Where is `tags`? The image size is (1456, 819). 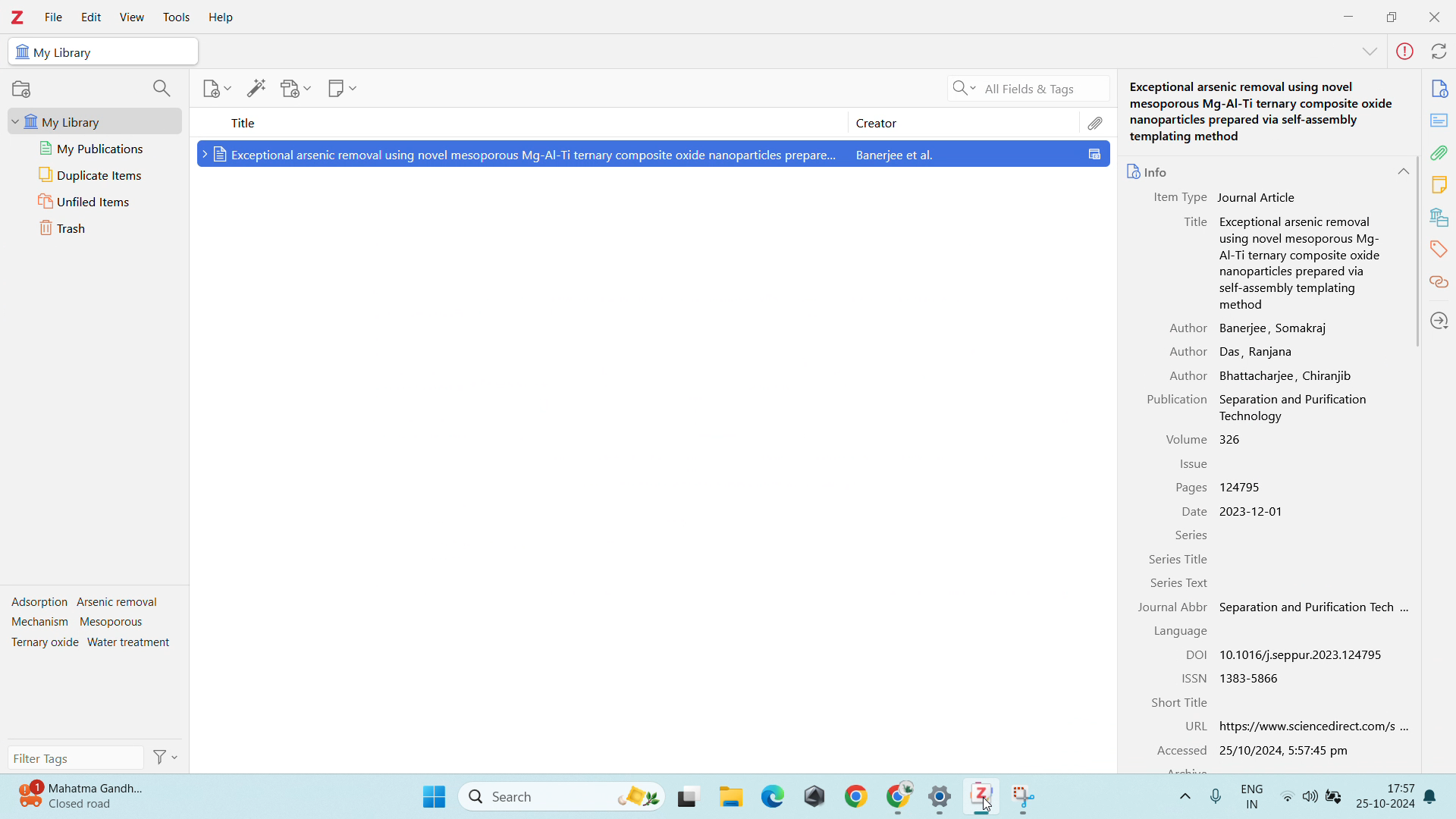
tags is located at coordinates (1439, 247).